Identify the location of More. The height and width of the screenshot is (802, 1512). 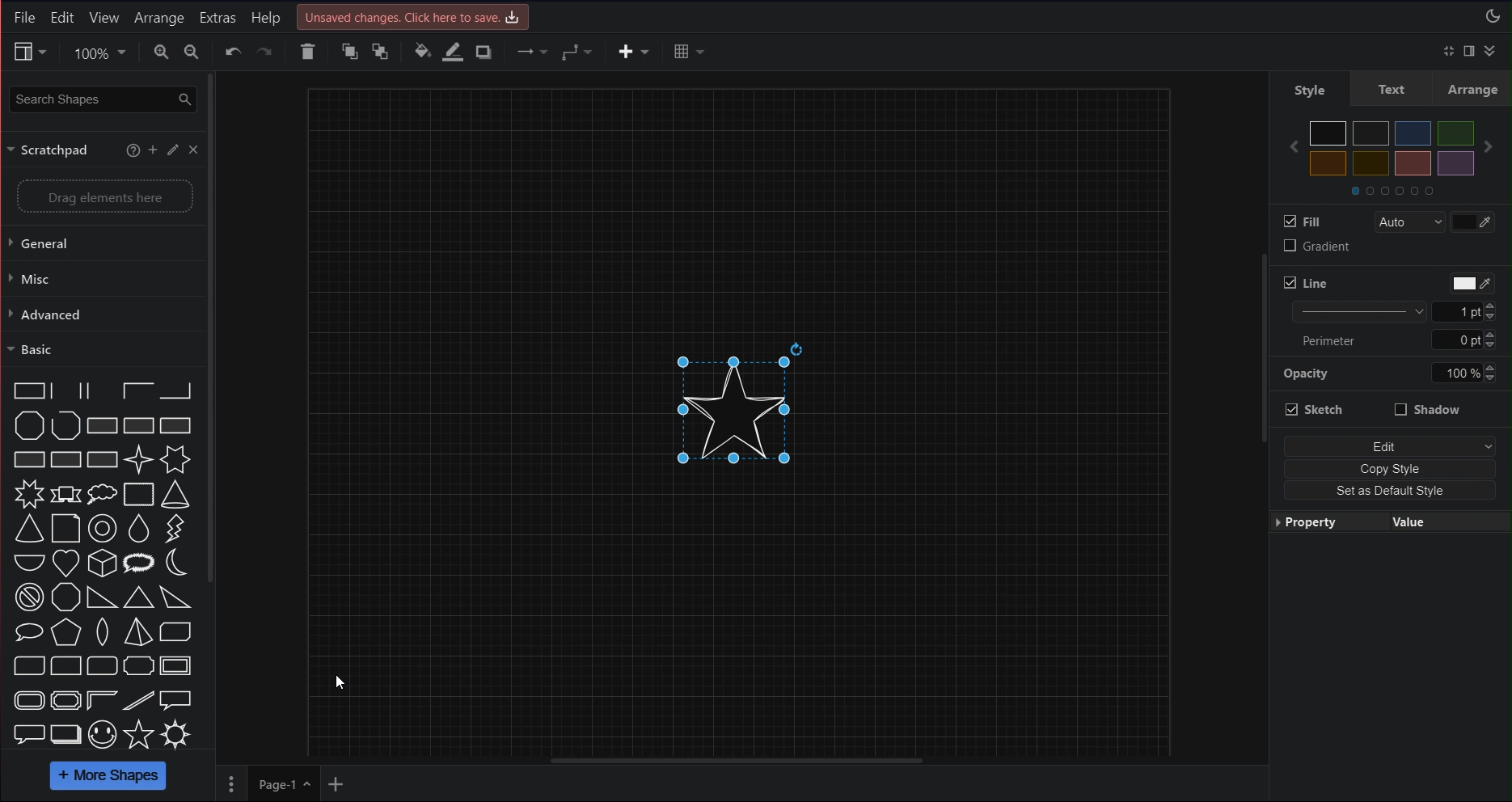
(233, 784).